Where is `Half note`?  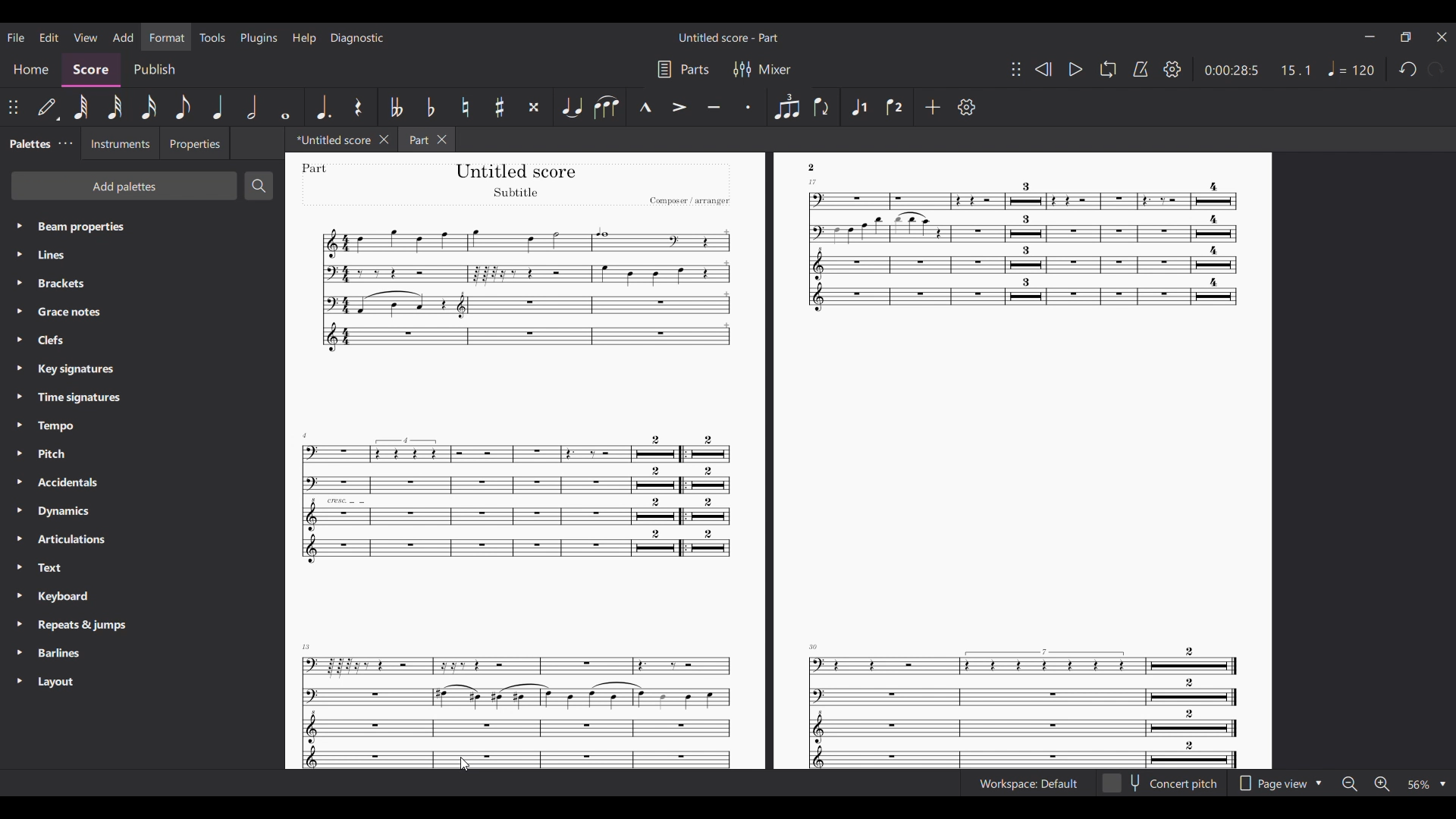
Half note is located at coordinates (253, 107).